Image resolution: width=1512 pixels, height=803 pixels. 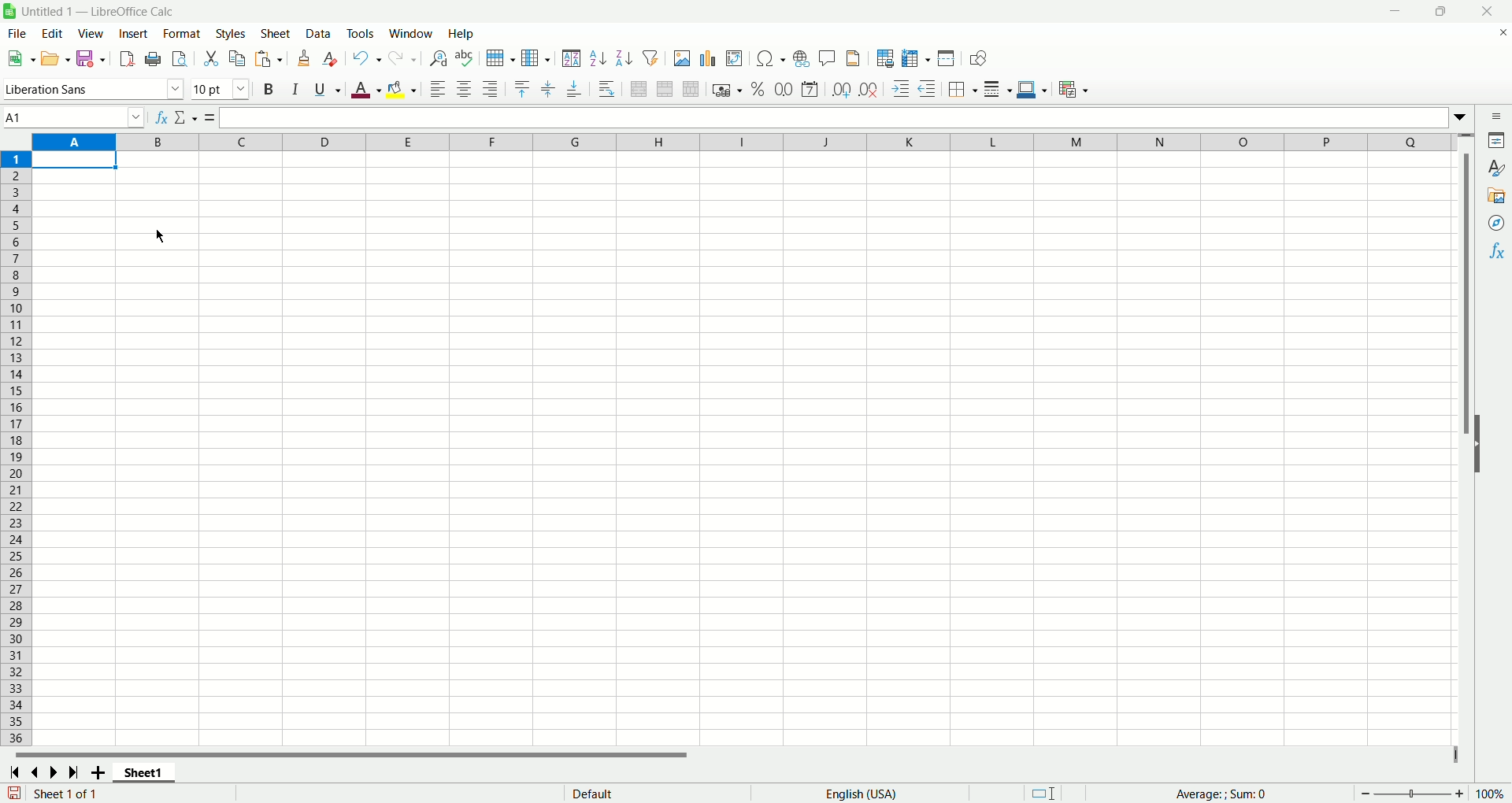 What do you see at coordinates (91, 60) in the screenshot?
I see `save` at bounding box center [91, 60].